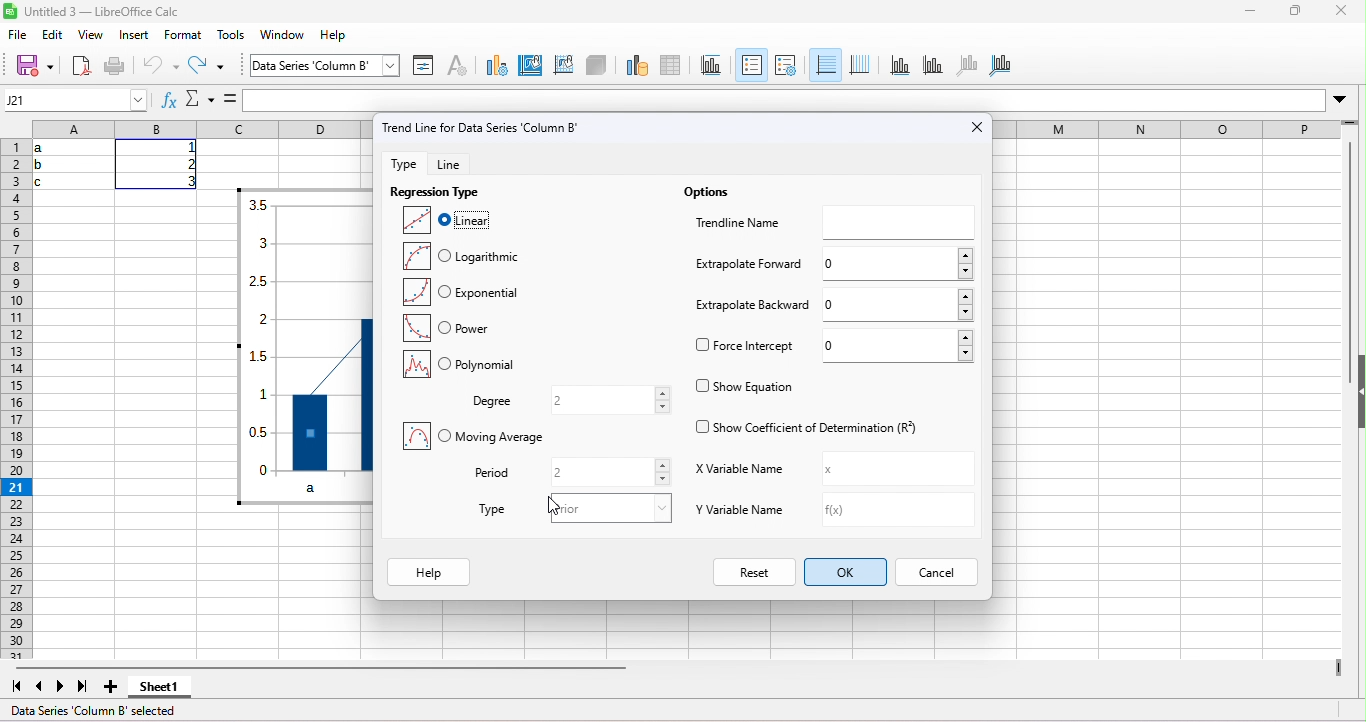 The image size is (1366, 722). What do you see at coordinates (1345, 14) in the screenshot?
I see `close` at bounding box center [1345, 14].